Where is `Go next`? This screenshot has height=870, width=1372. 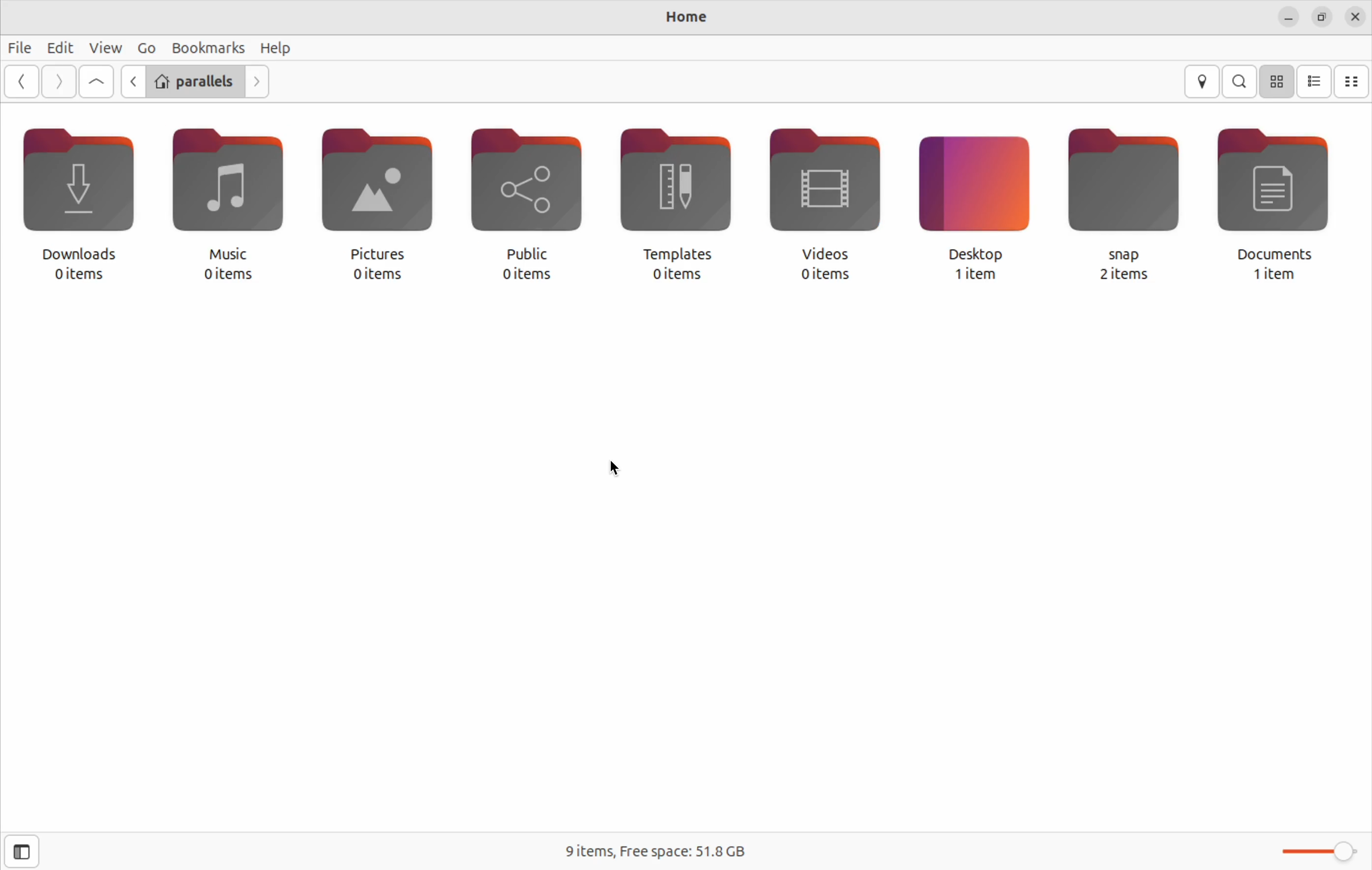
Go next is located at coordinates (260, 81).